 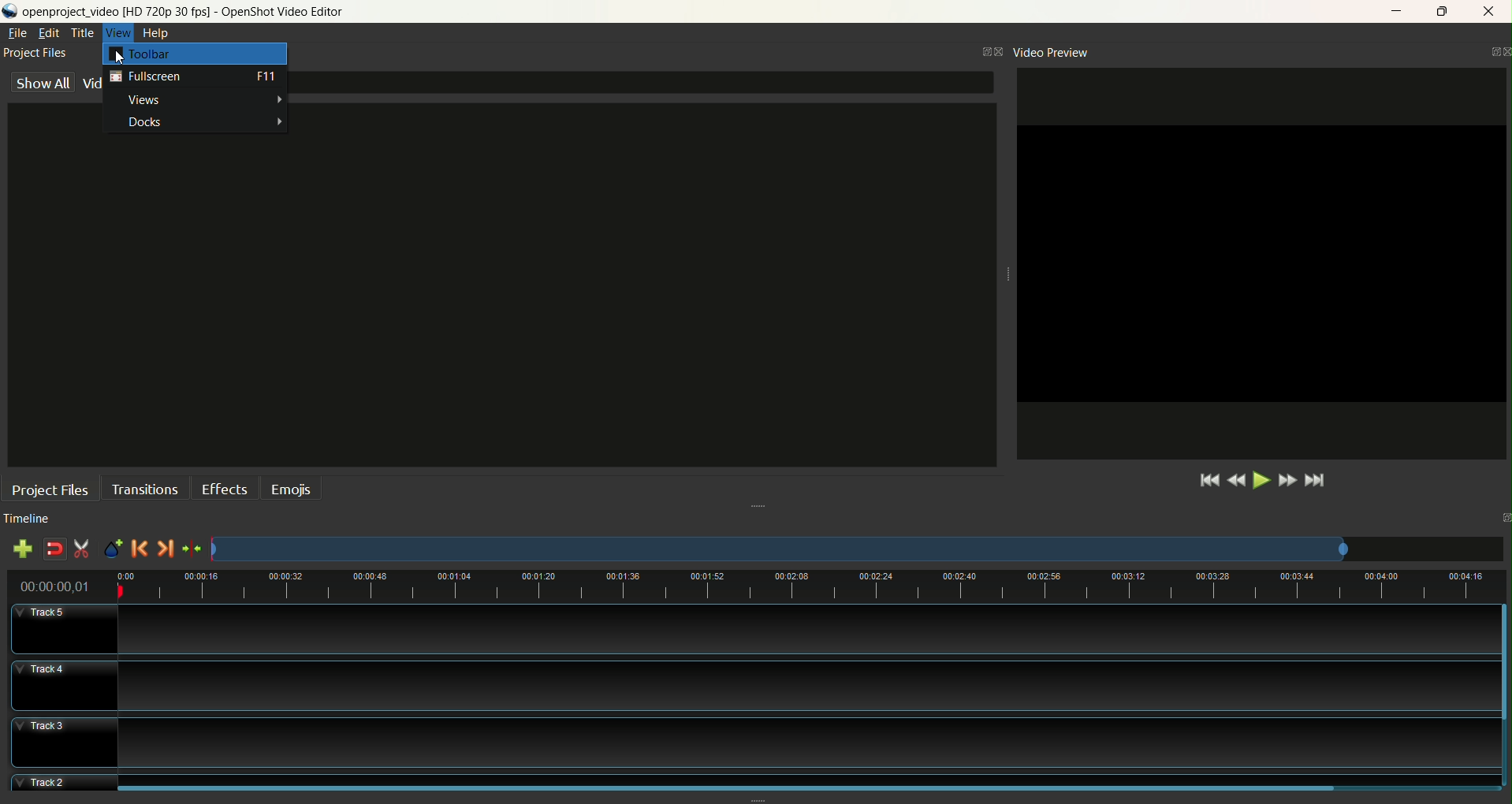 I want to click on emojis, so click(x=294, y=488).